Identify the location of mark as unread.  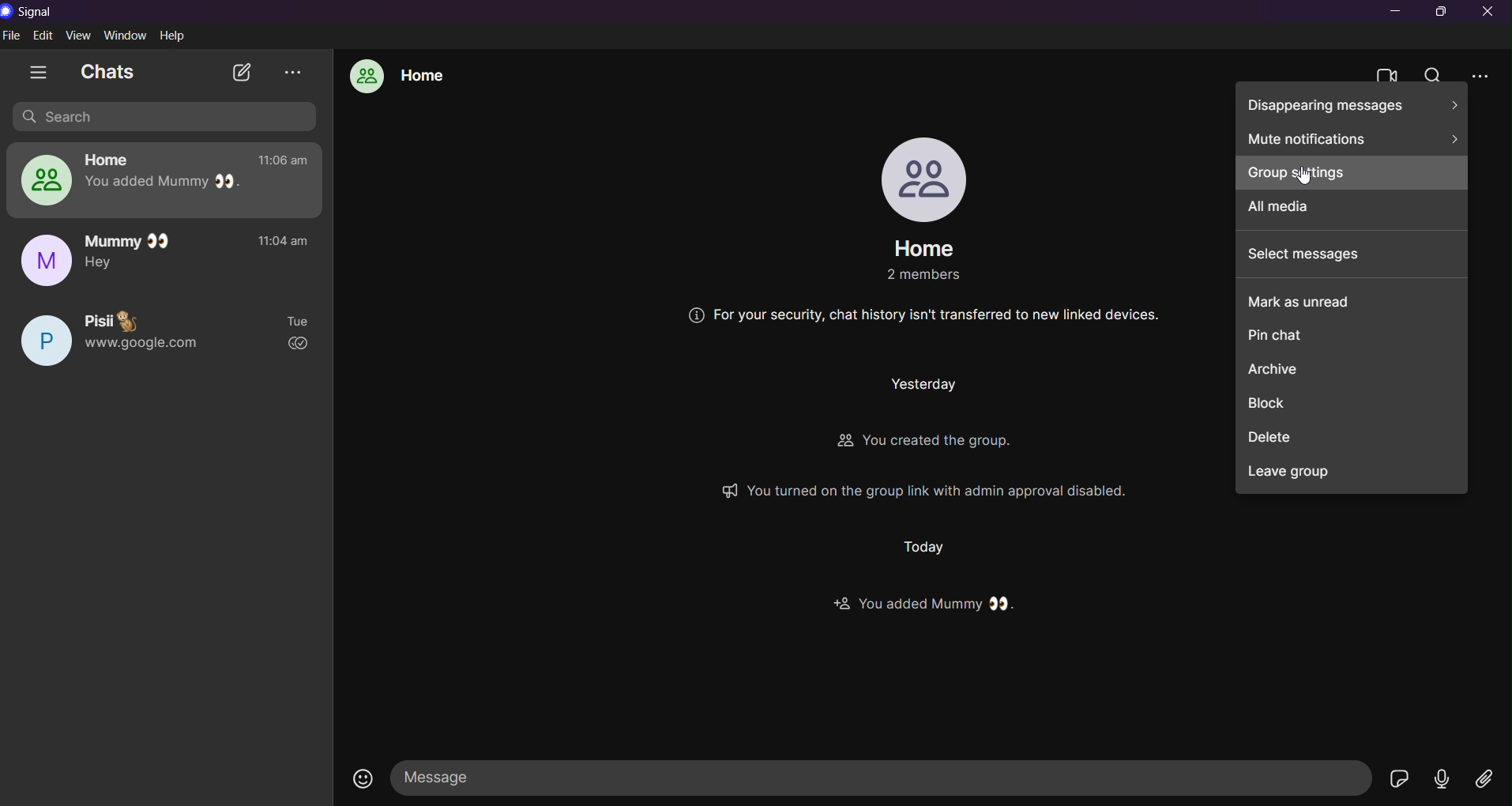
(1353, 299).